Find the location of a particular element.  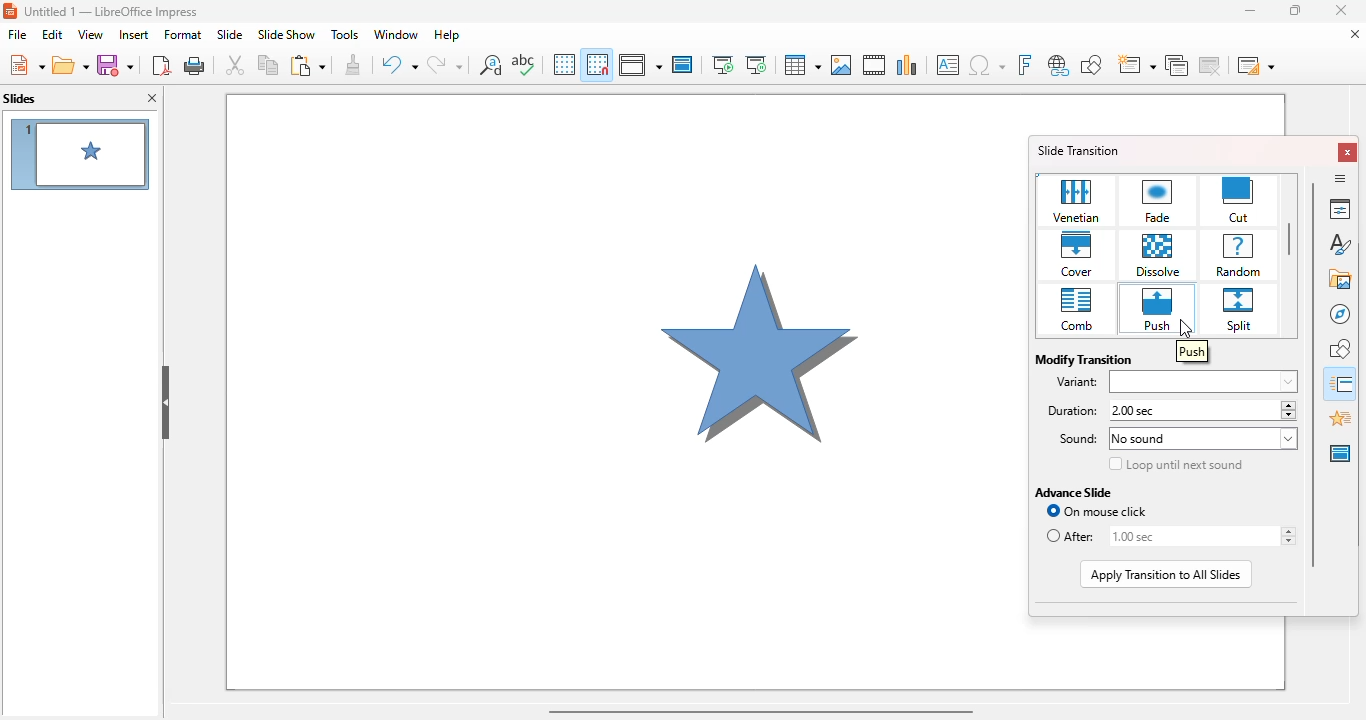

vertical scroll bar is located at coordinates (1313, 373).